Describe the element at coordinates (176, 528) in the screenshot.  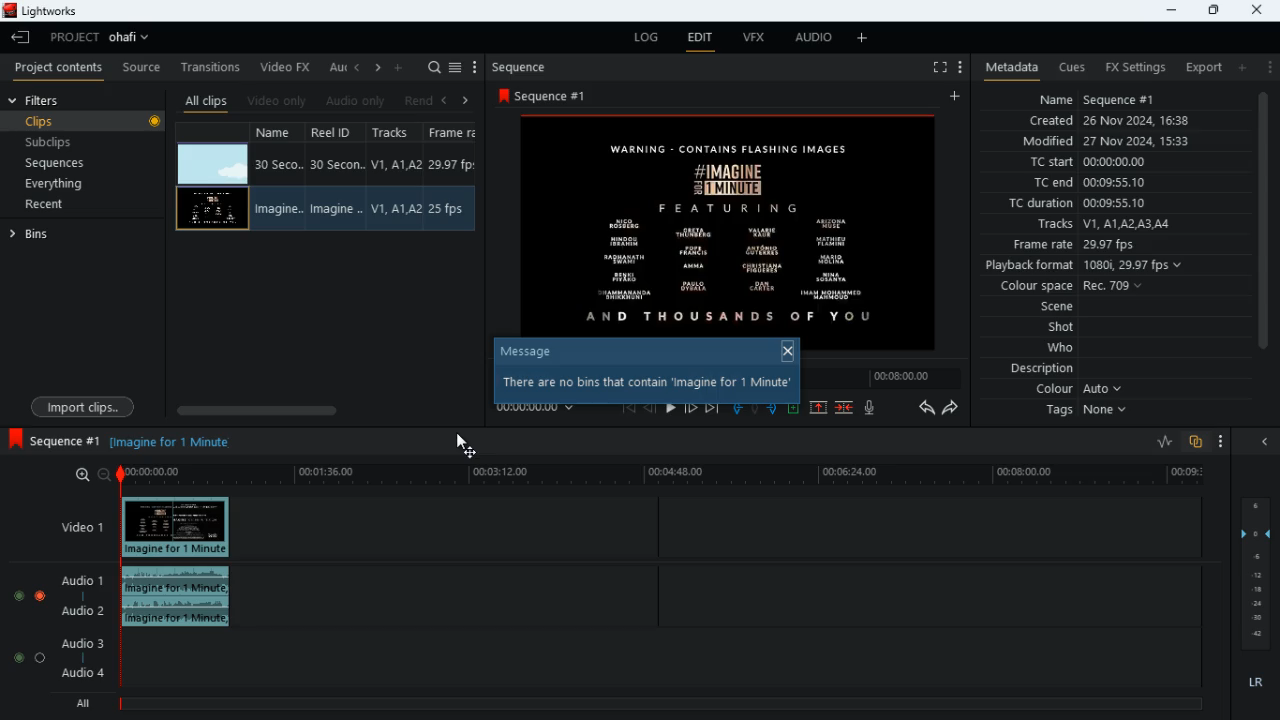
I see `video` at that location.